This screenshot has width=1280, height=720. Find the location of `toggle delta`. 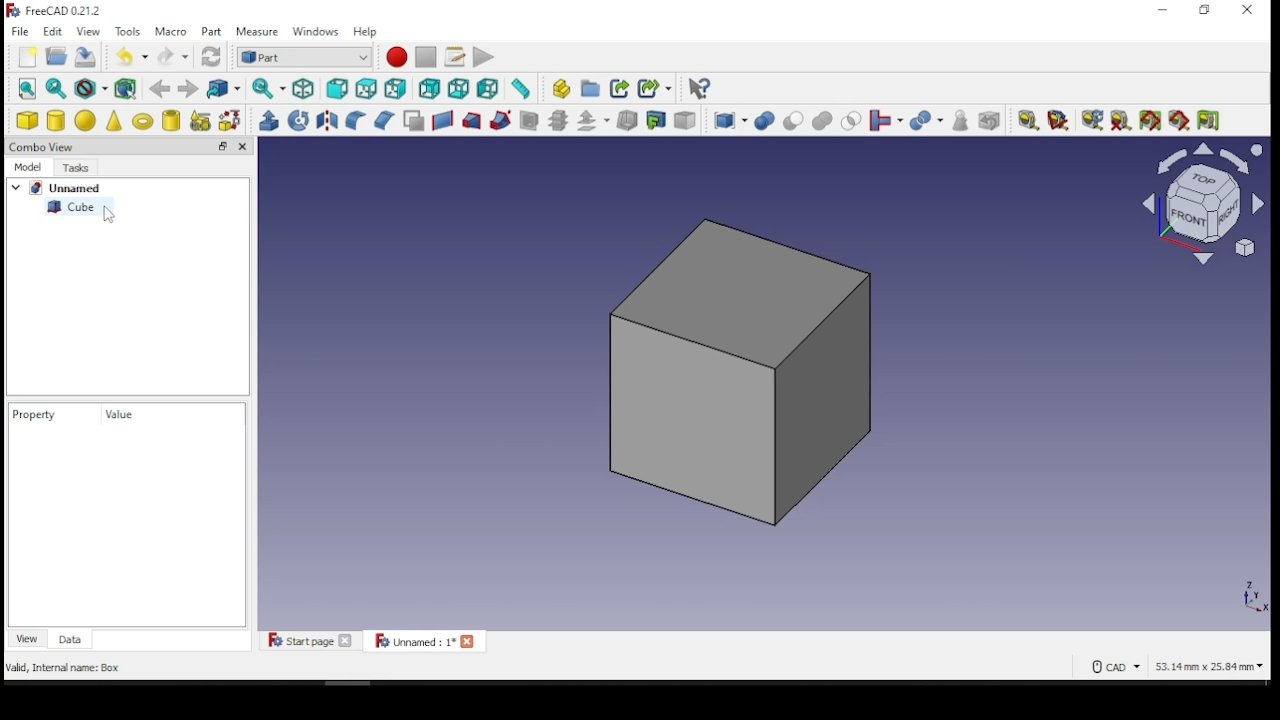

toggle delta is located at coordinates (1210, 120).